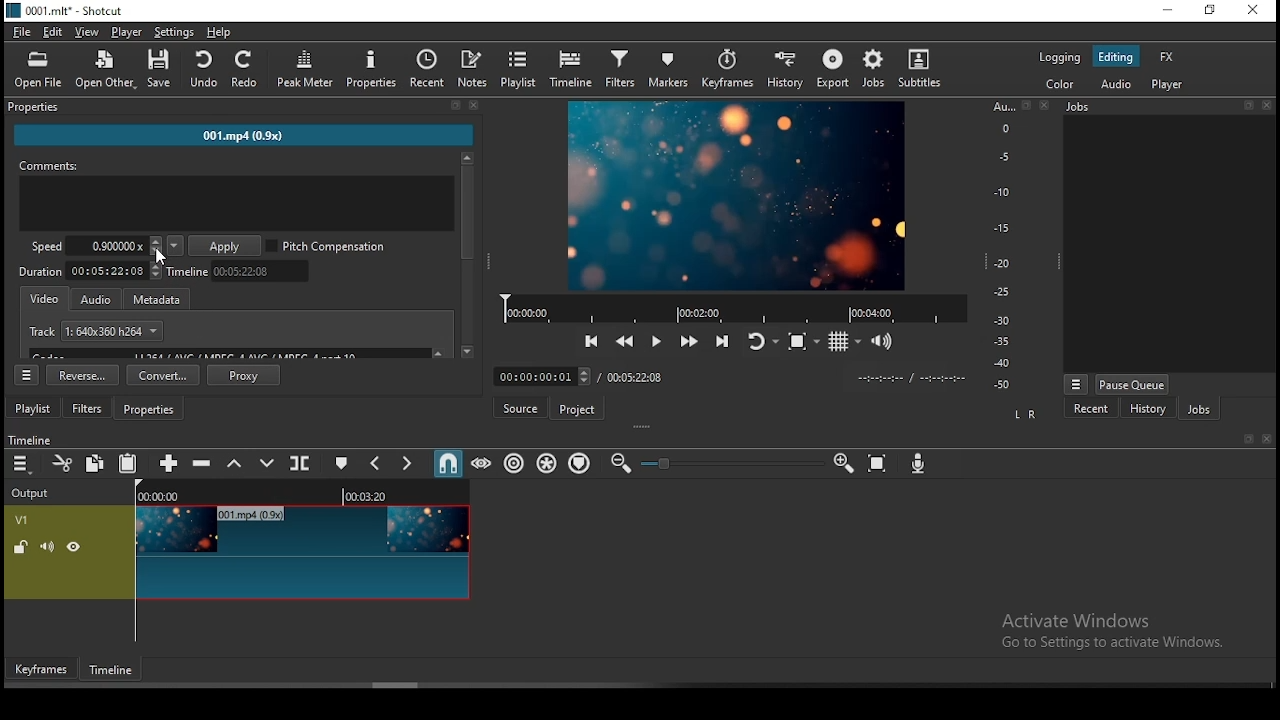  What do you see at coordinates (919, 68) in the screenshot?
I see `subtitles` at bounding box center [919, 68].